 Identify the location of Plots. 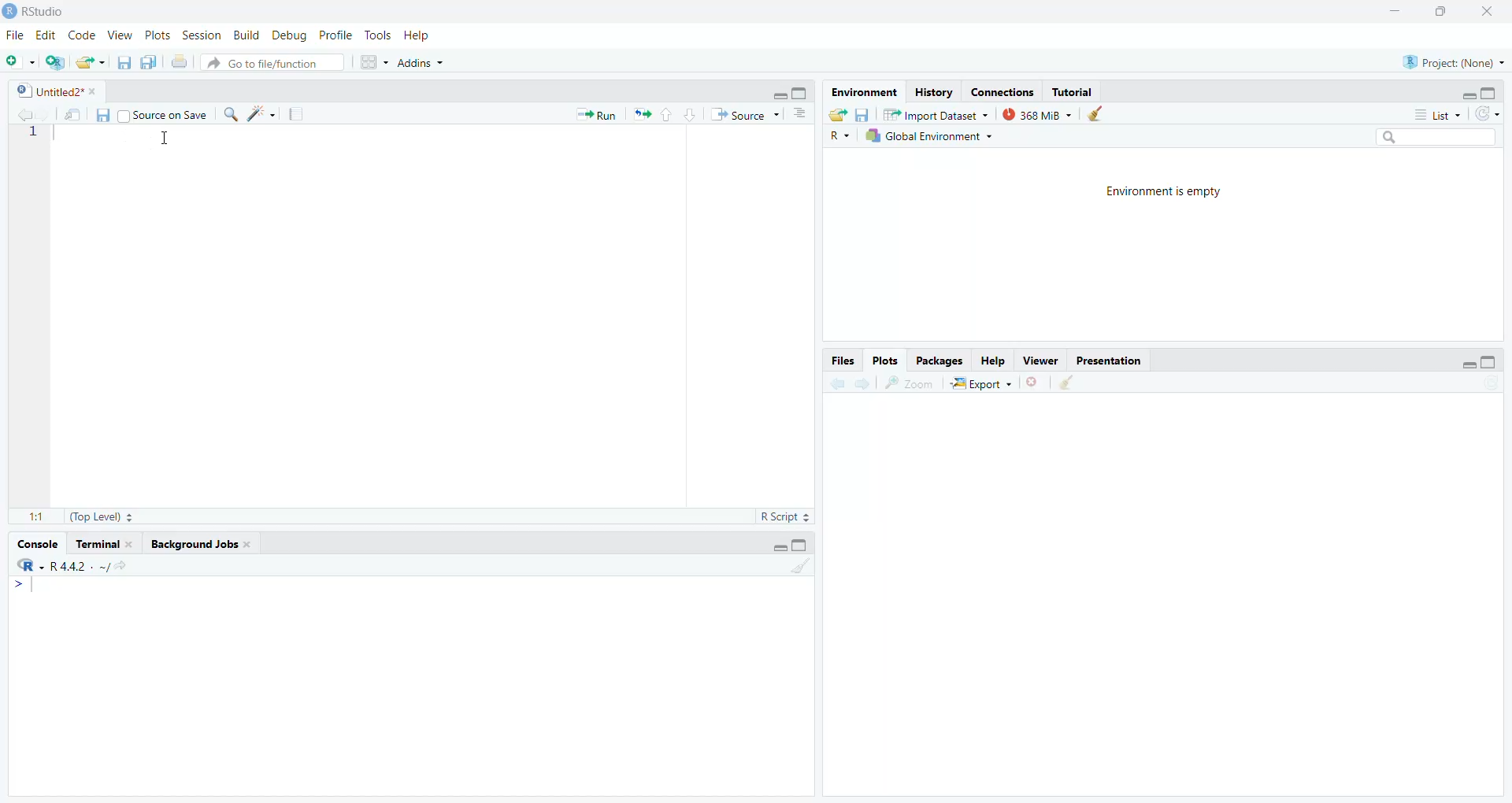
(155, 34).